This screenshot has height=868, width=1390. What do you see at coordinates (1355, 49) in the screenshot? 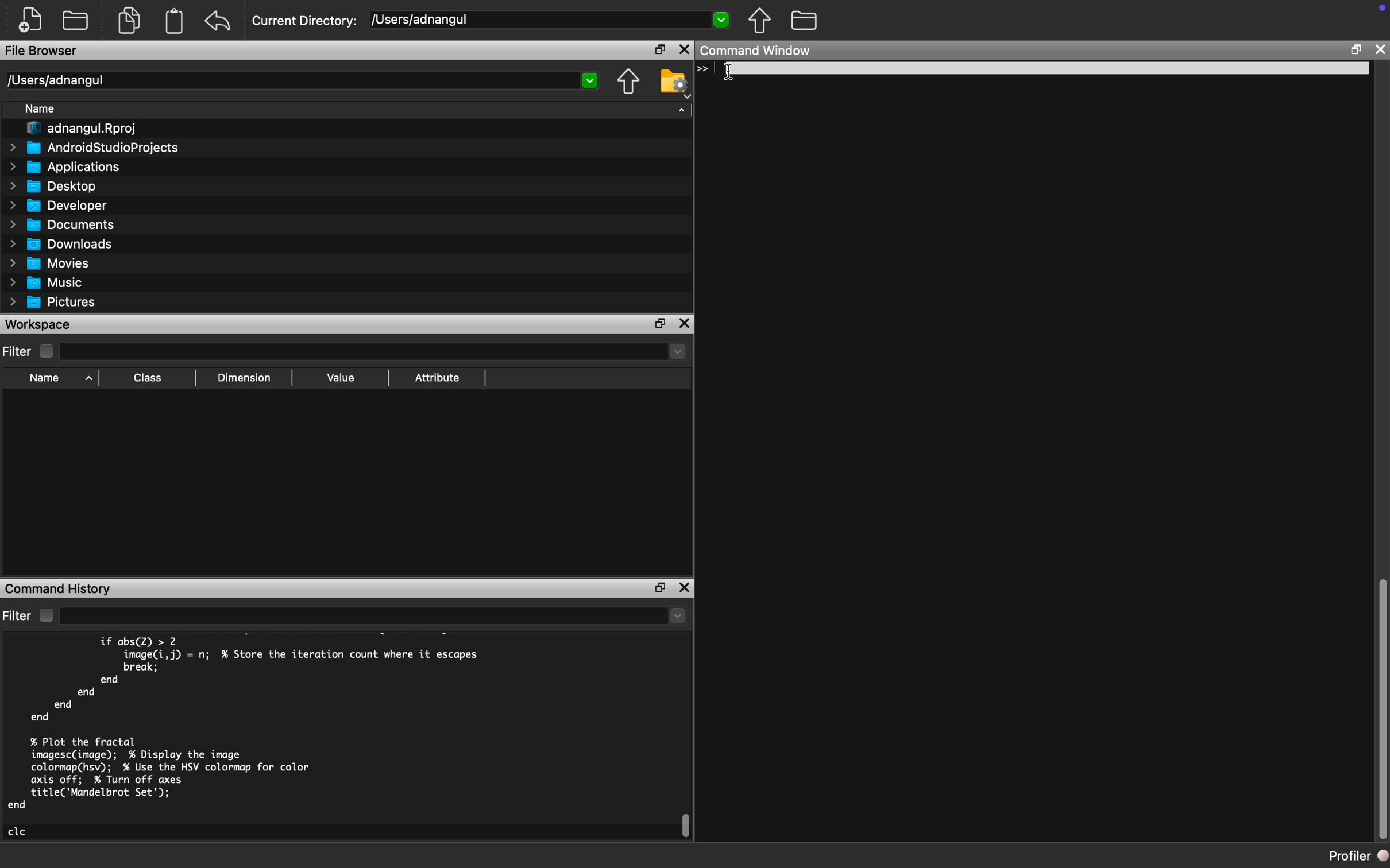
I see `Restore Down` at bounding box center [1355, 49].